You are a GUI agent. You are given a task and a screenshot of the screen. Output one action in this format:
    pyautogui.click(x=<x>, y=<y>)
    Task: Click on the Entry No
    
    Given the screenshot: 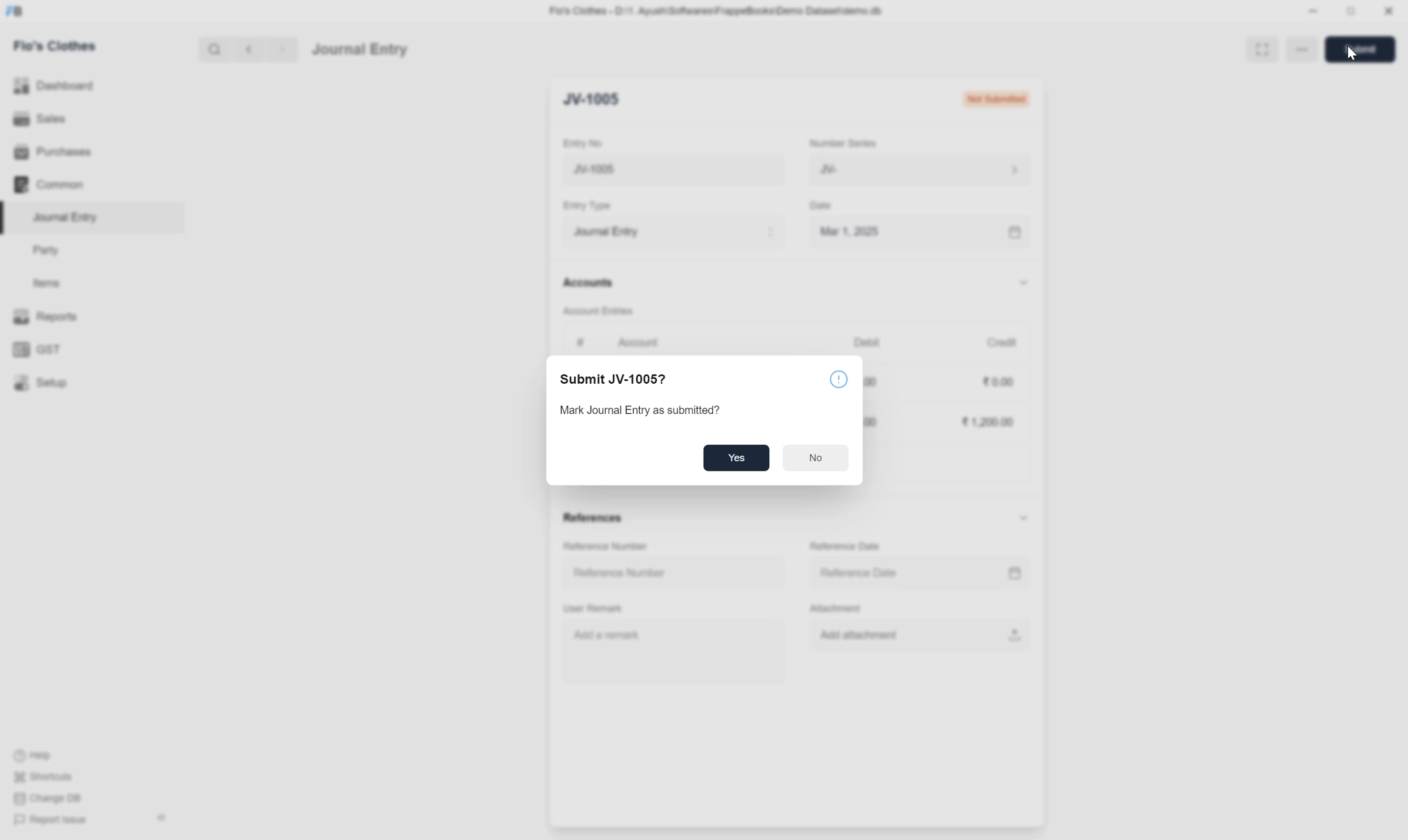 What is the action you would take?
    pyautogui.click(x=585, y=143)
    